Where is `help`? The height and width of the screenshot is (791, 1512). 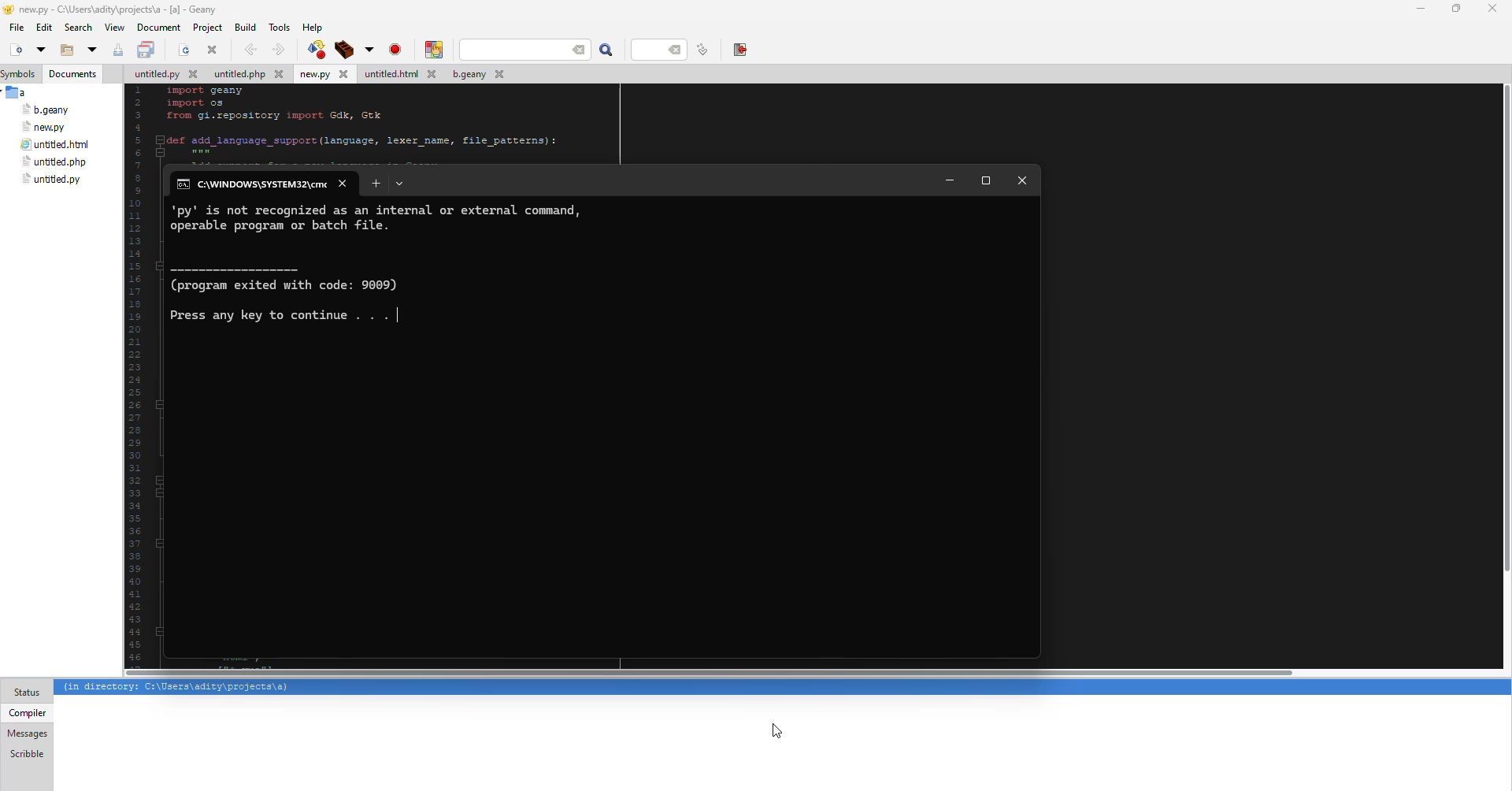 help is located at coordinates (313, 27).